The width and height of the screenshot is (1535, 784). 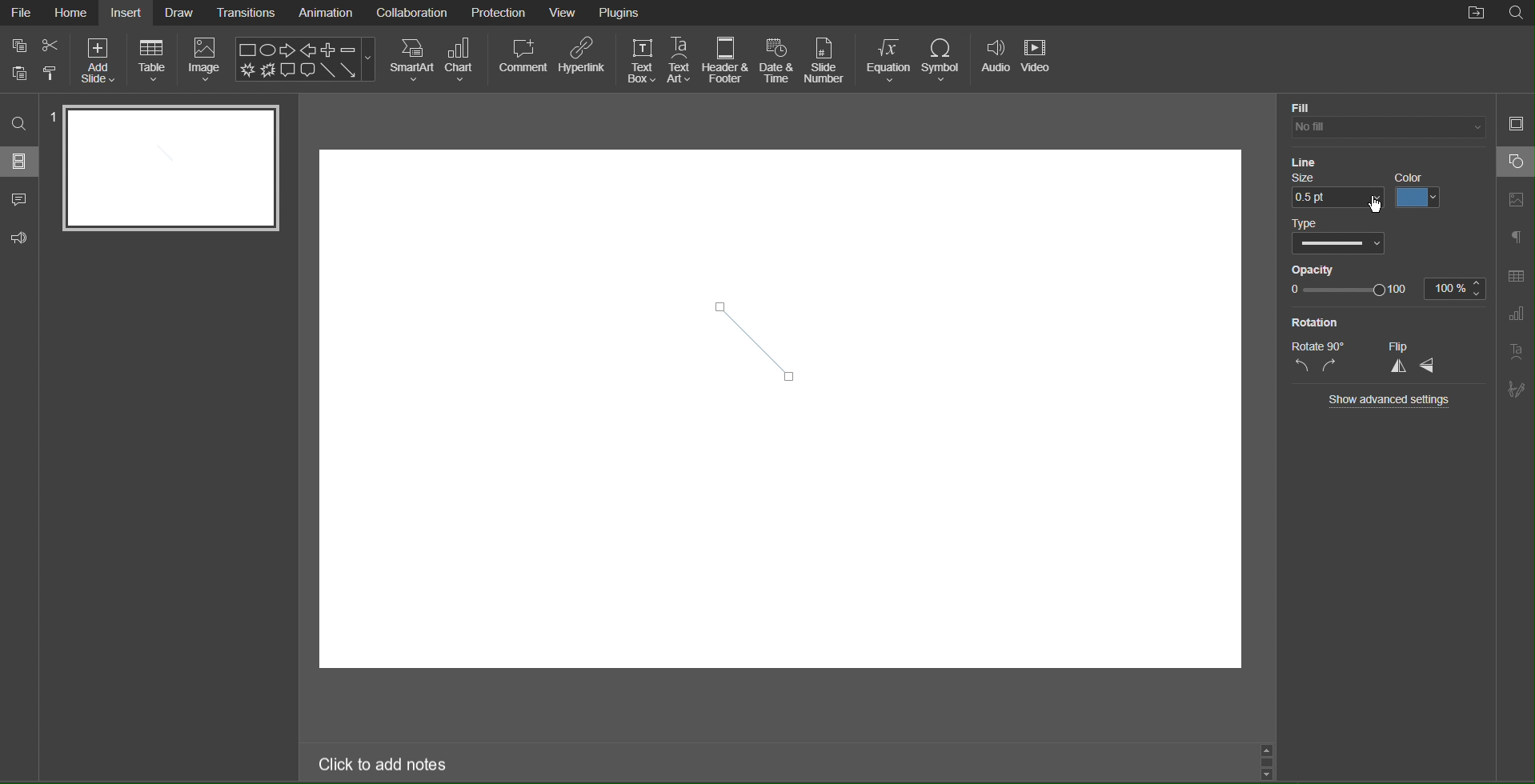 I want to click on Shape Menu, so click(x=305, y=58).